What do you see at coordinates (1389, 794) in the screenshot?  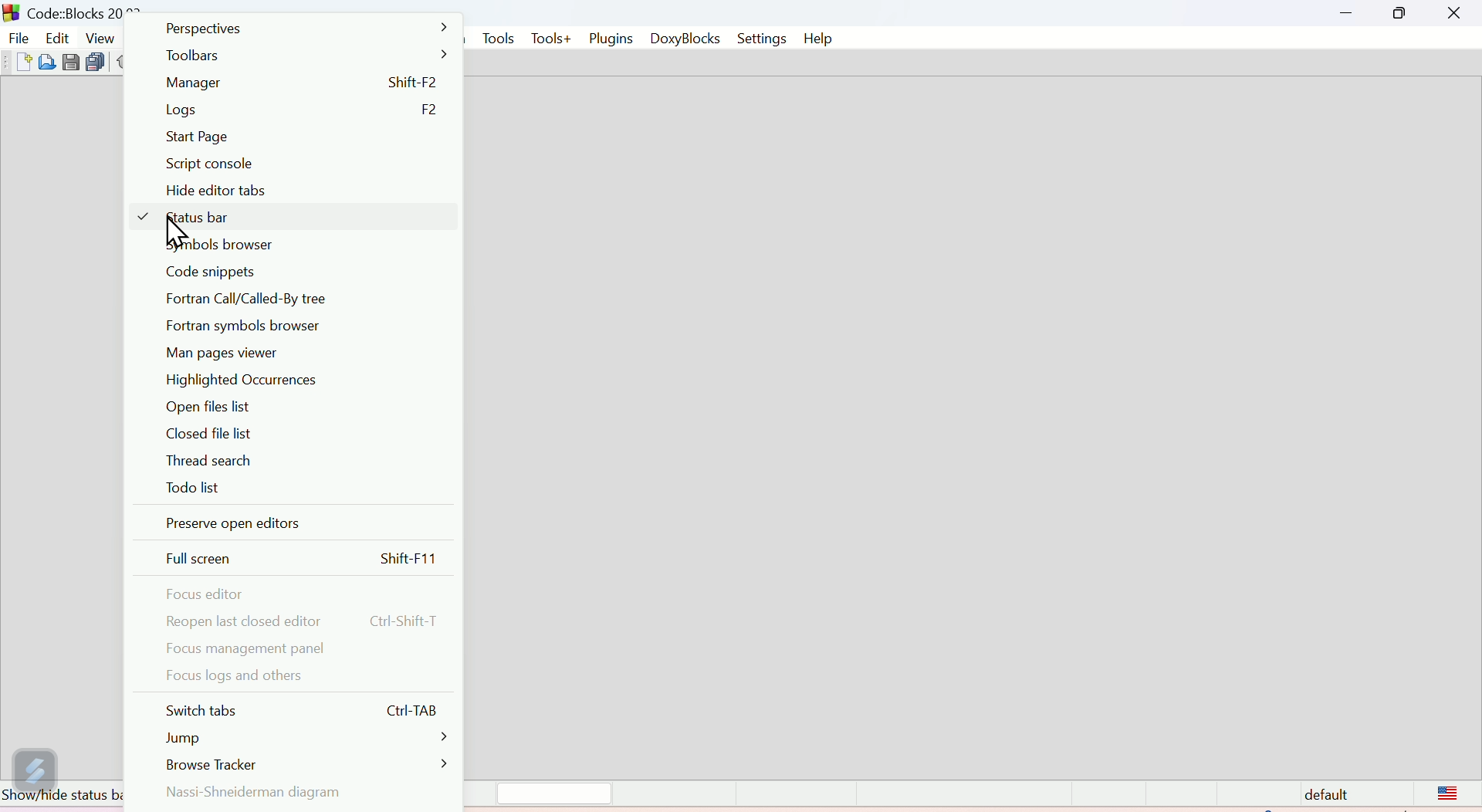 I see `Default` at bounding box center [1389, 794].